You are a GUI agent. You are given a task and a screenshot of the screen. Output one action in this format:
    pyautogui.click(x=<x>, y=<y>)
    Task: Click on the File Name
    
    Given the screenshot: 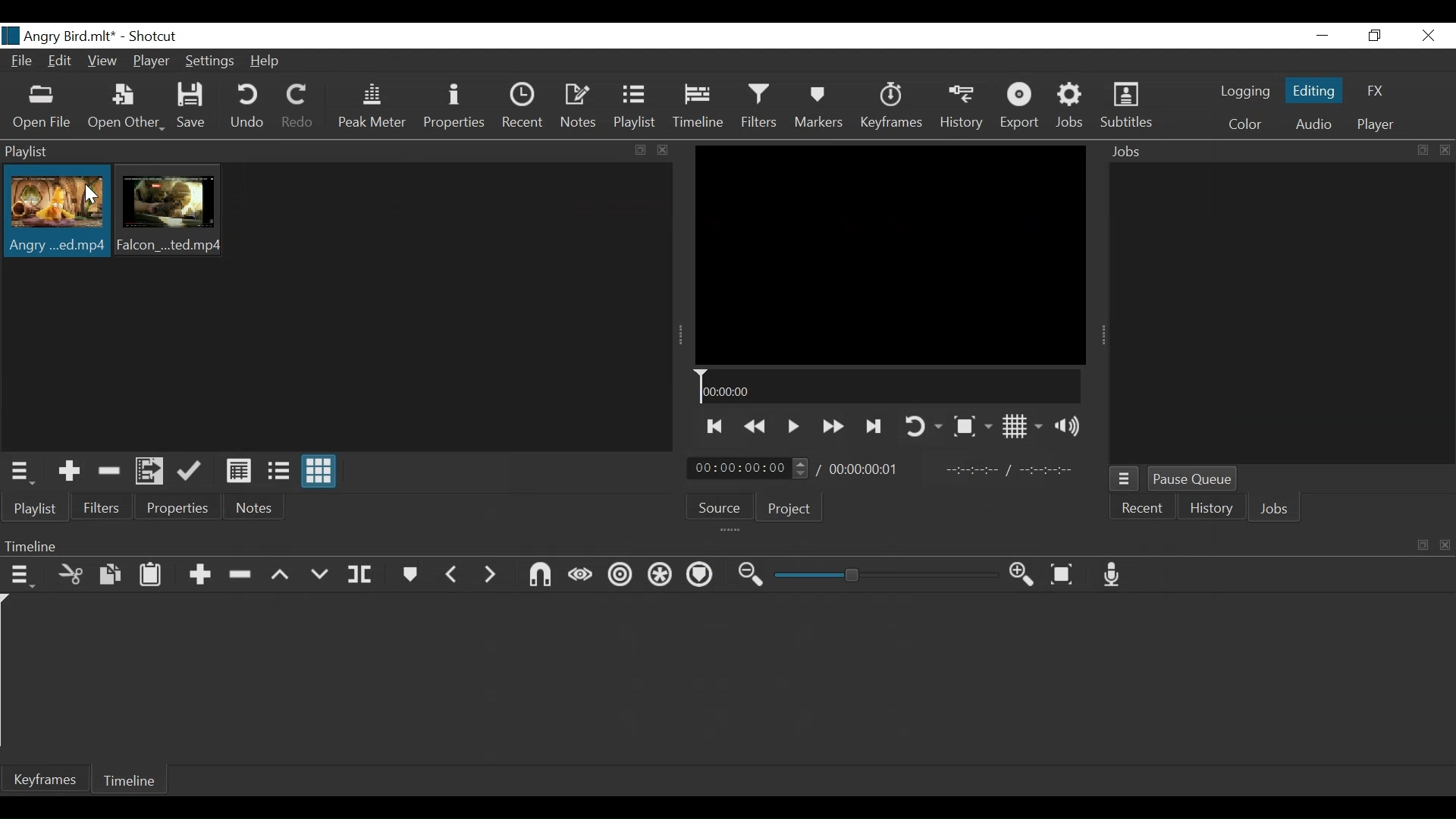 What is the action you would take?
    pyautogui.click(x=58, y=36)
    